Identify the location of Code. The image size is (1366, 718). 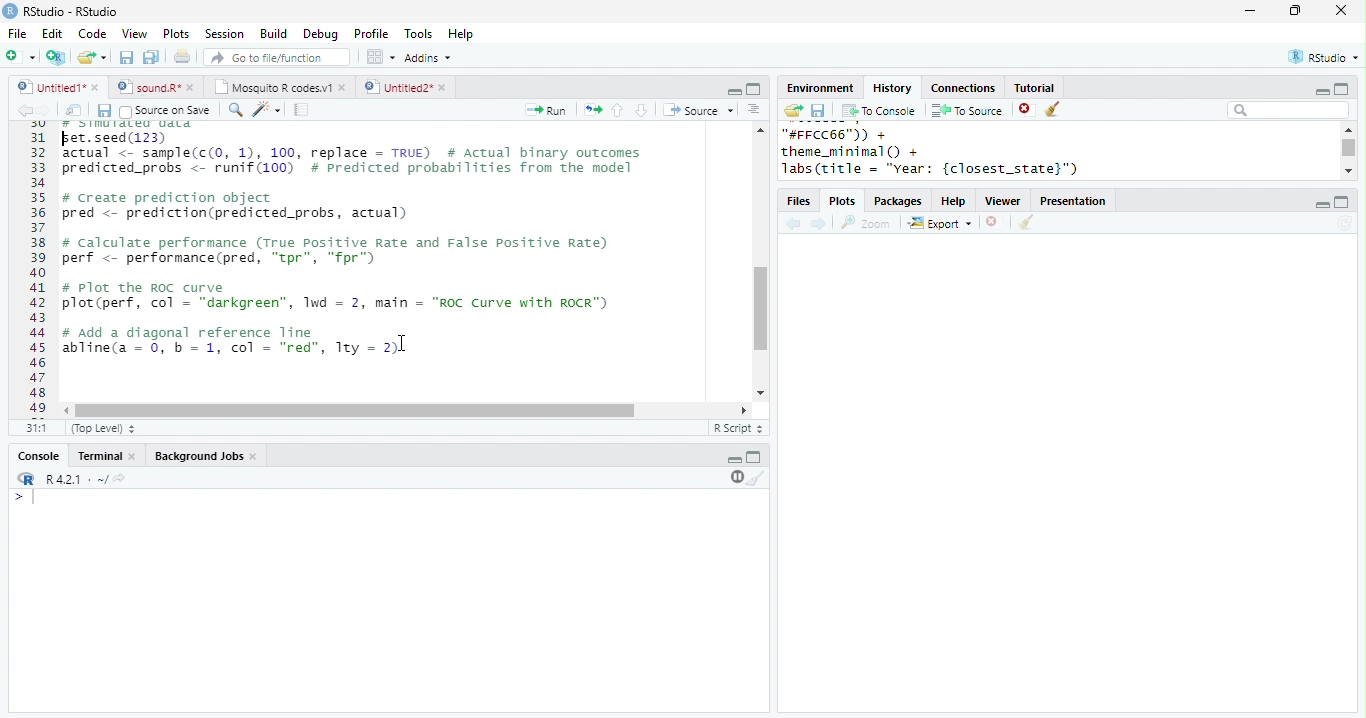
(92, 33).